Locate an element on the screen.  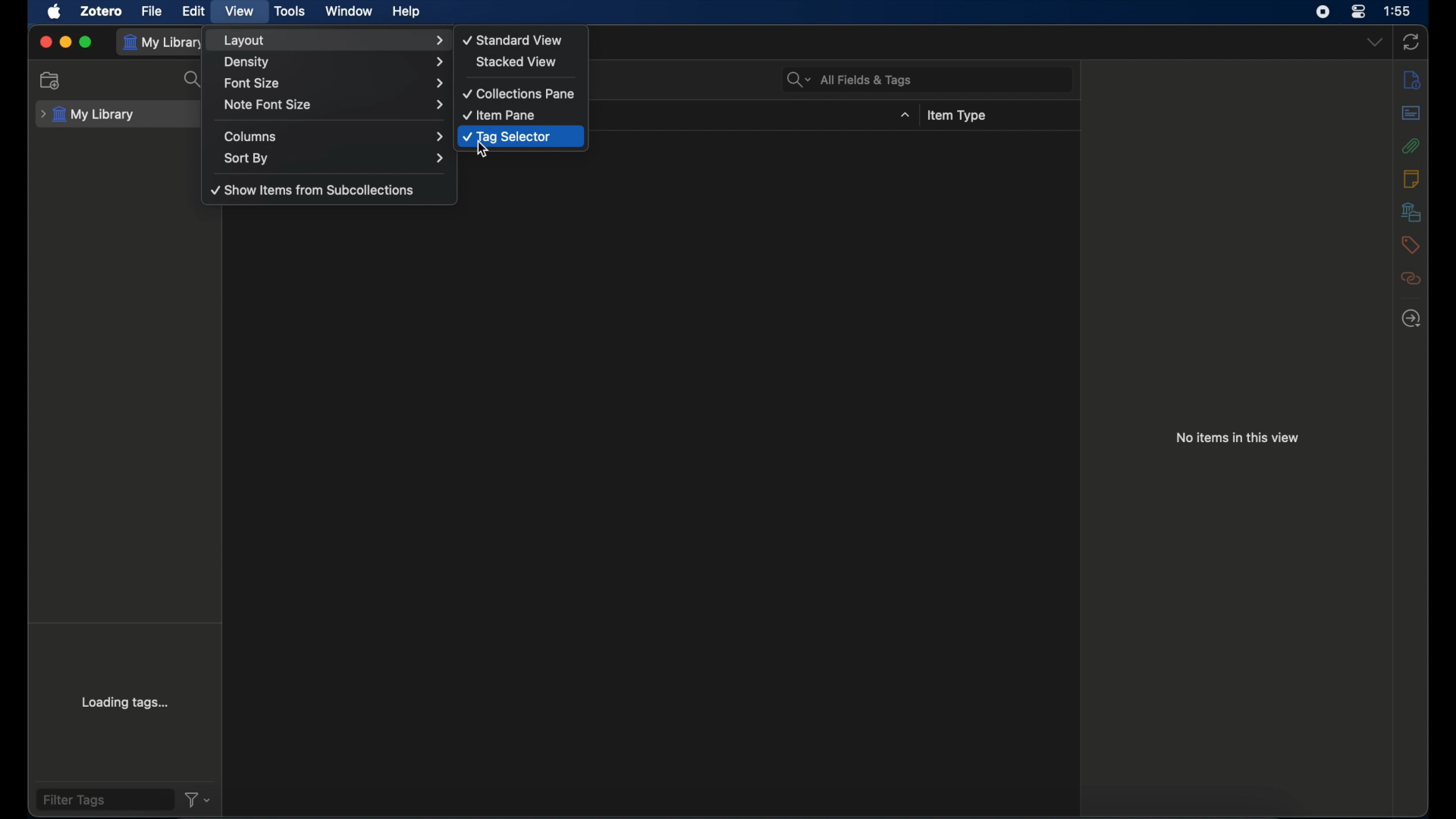
related is located at coordinates (1410, 278).